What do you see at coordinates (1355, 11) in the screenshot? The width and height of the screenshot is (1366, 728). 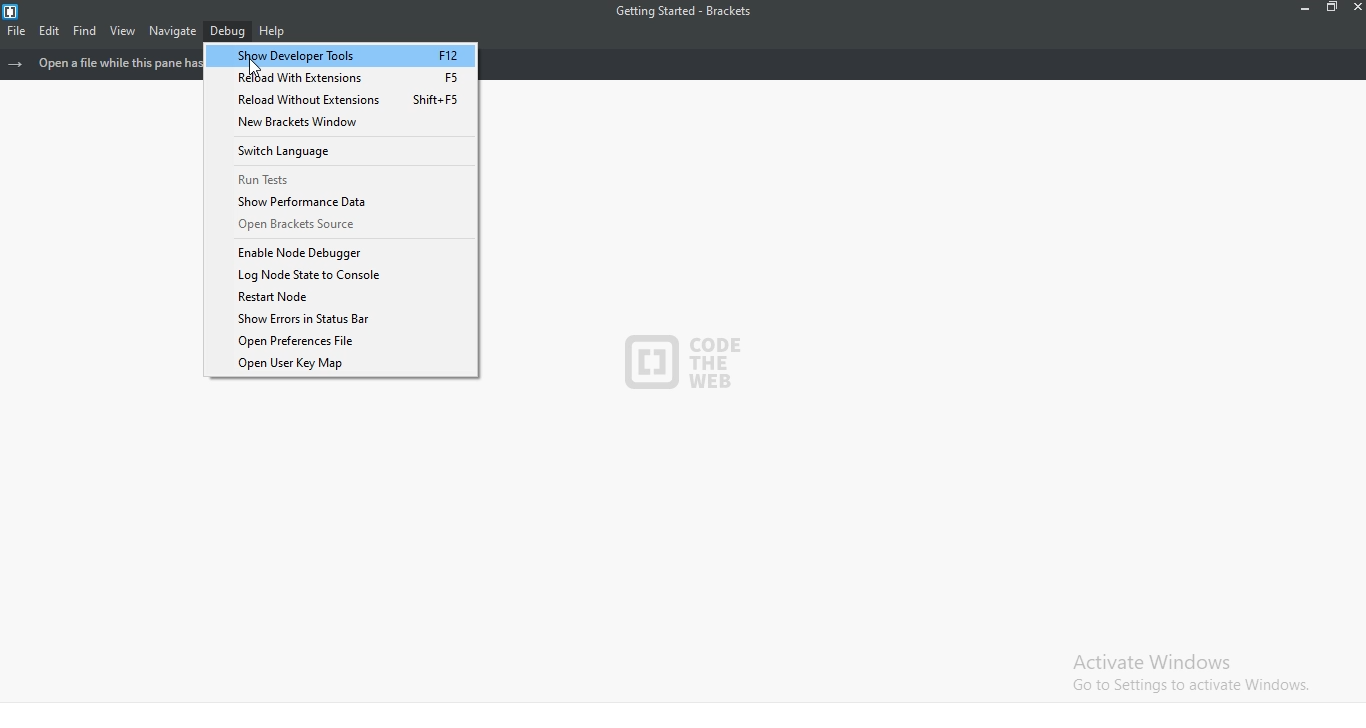 I see `close` at bounding box center [1355, 11].